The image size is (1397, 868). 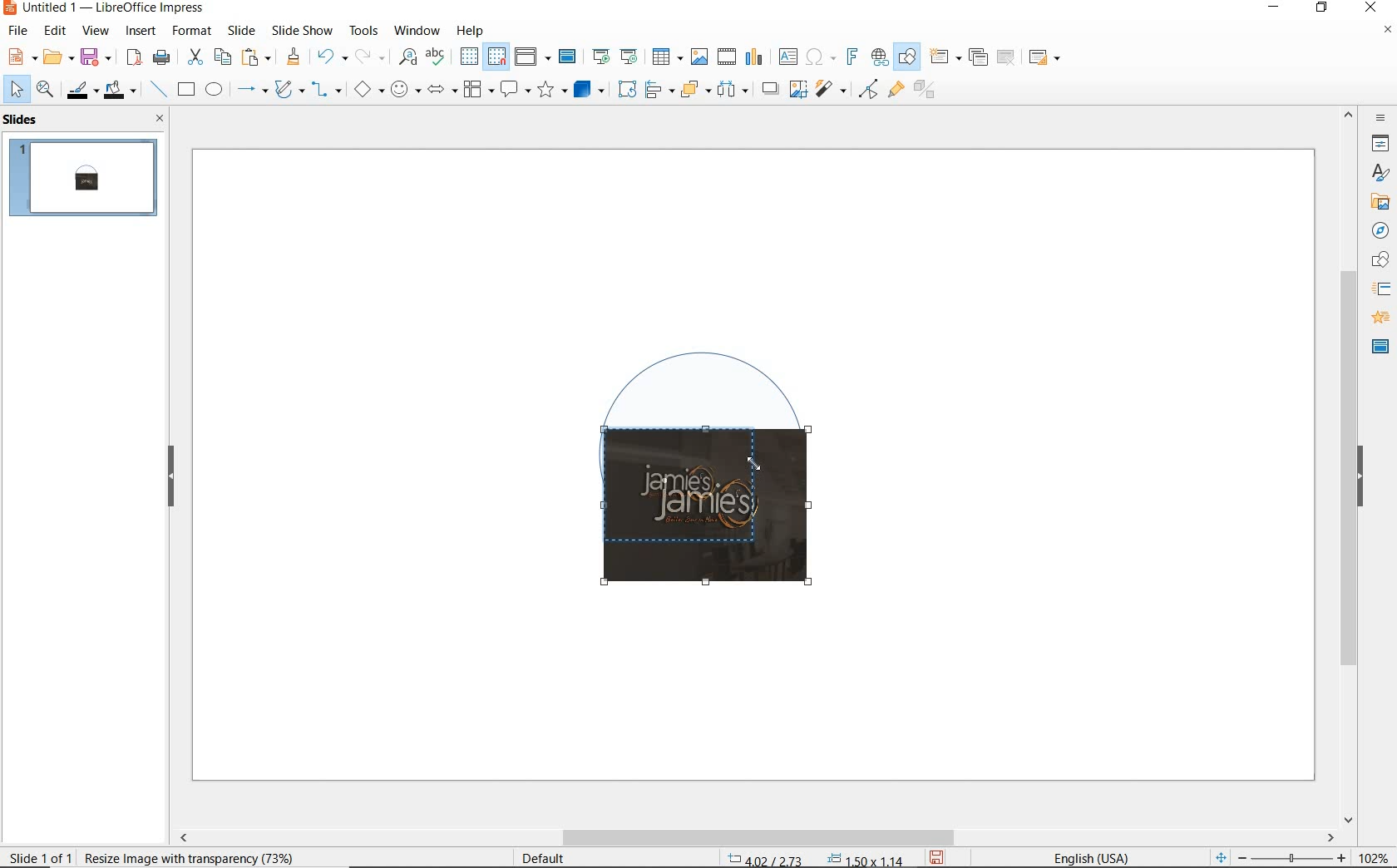 What do you see at coordinates (477, 91) in the screenshot?
I see `flowchart` at bounding box center [477, 91].